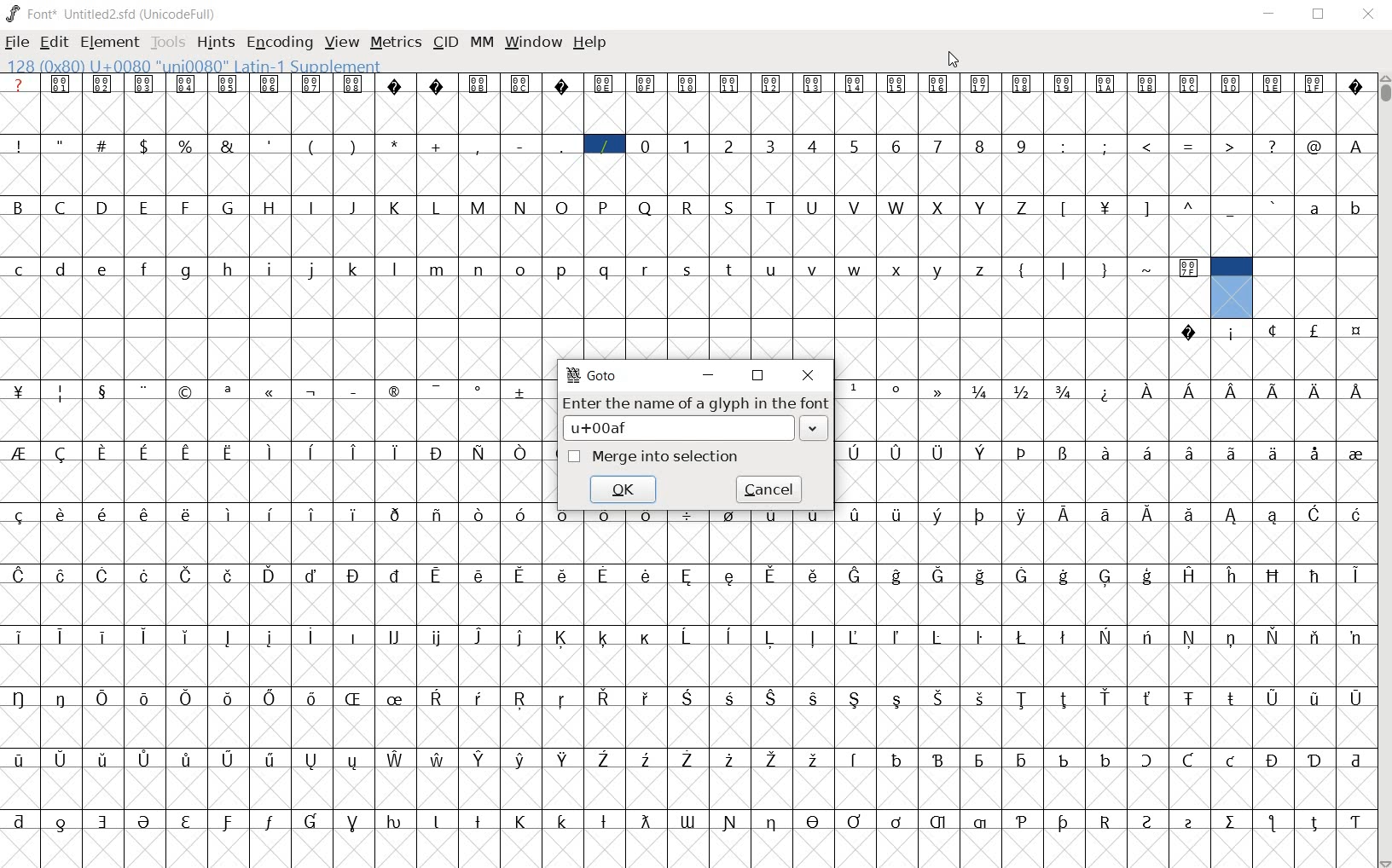 The height and width of the screenshot is (868, 1392). Describe the element at coordinates (1274, 331) in the screenshot. I see `Symbol` at that location.